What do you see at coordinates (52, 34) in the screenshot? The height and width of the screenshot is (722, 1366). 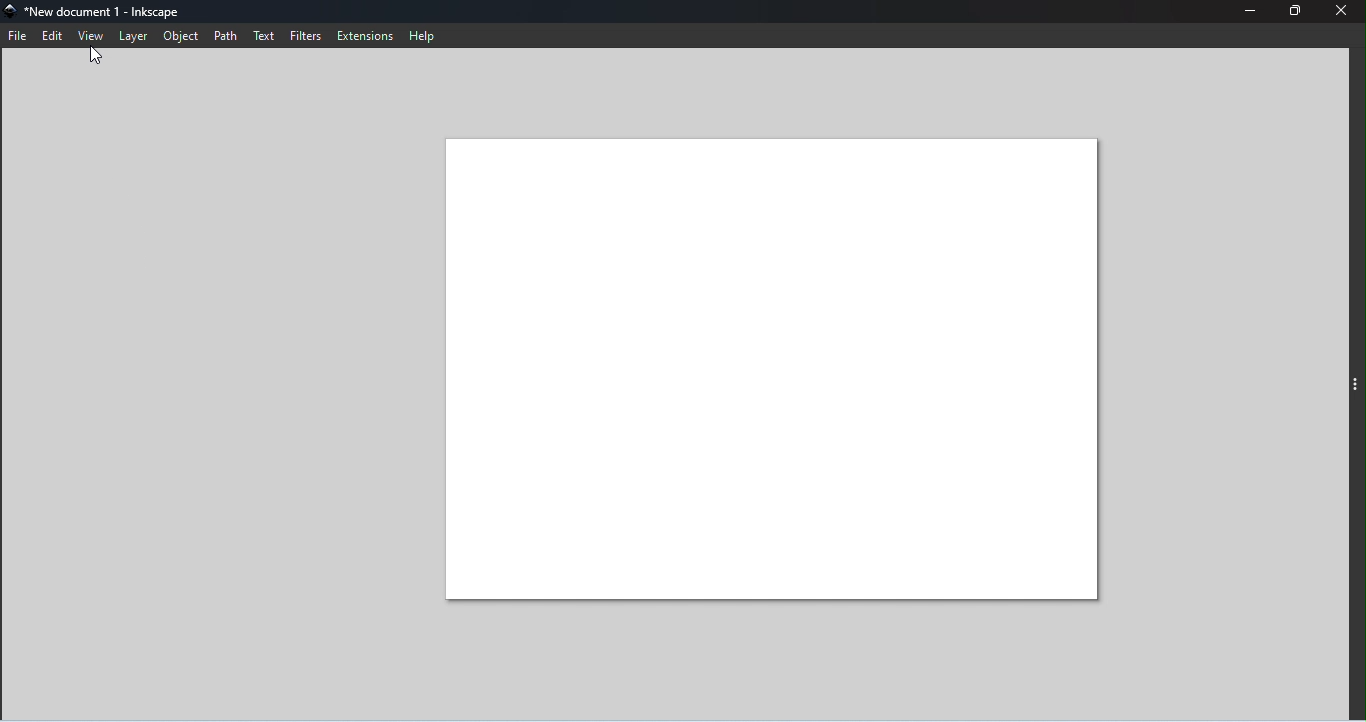 I see `Edit` at bounding box center [52, 34].